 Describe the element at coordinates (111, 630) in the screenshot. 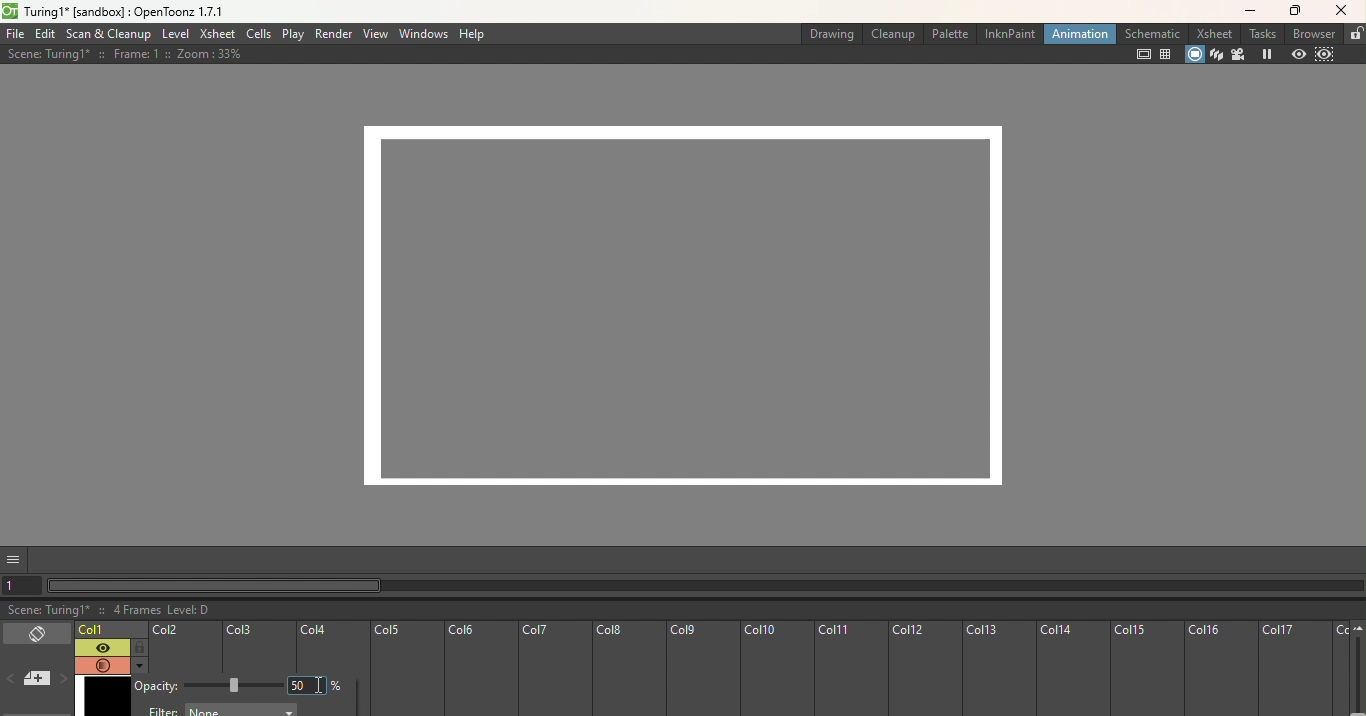

I see `Click to select the current frame` at that location.